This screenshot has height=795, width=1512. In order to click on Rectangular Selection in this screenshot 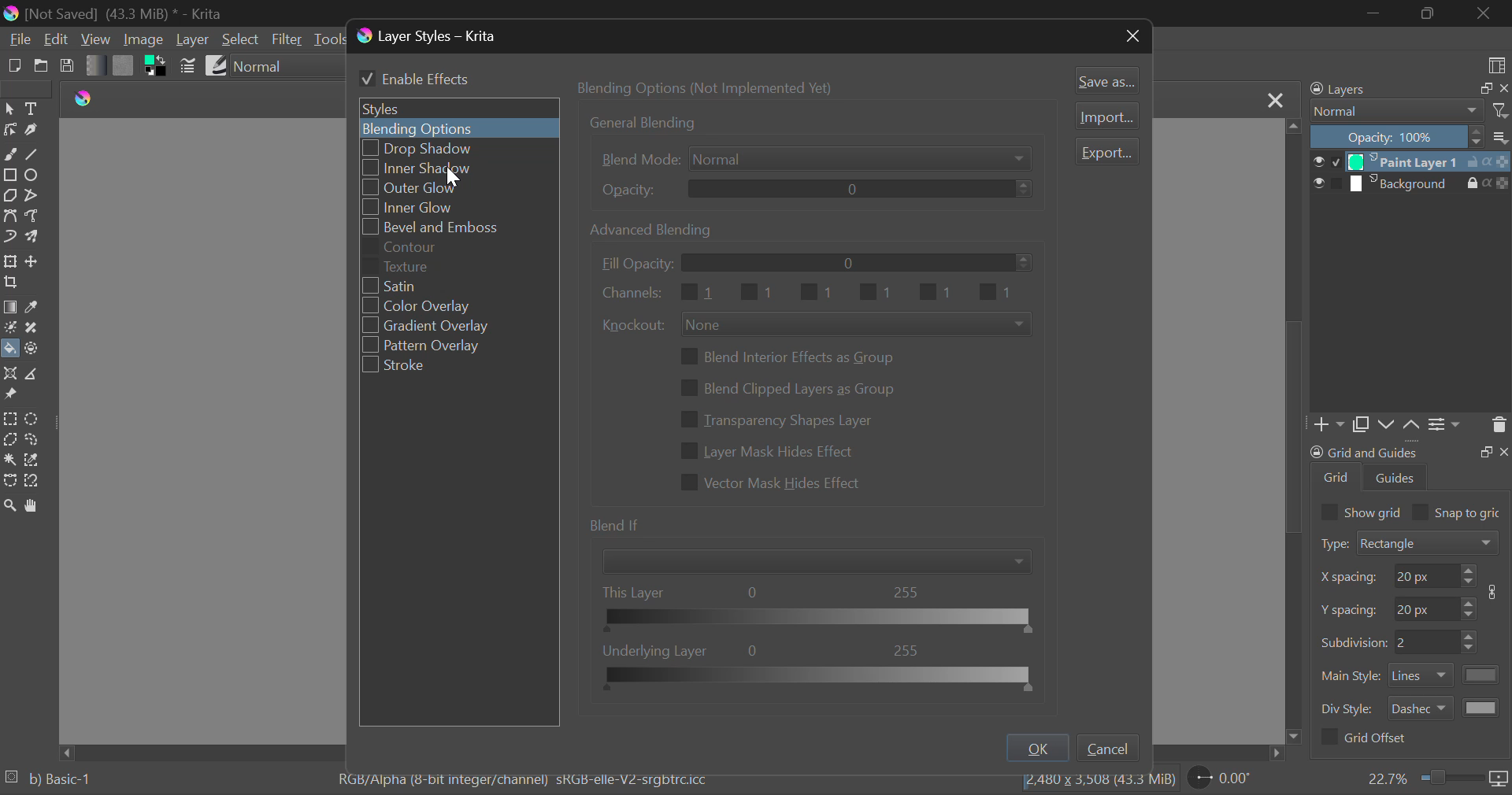, I will do `click(9, 419)`.